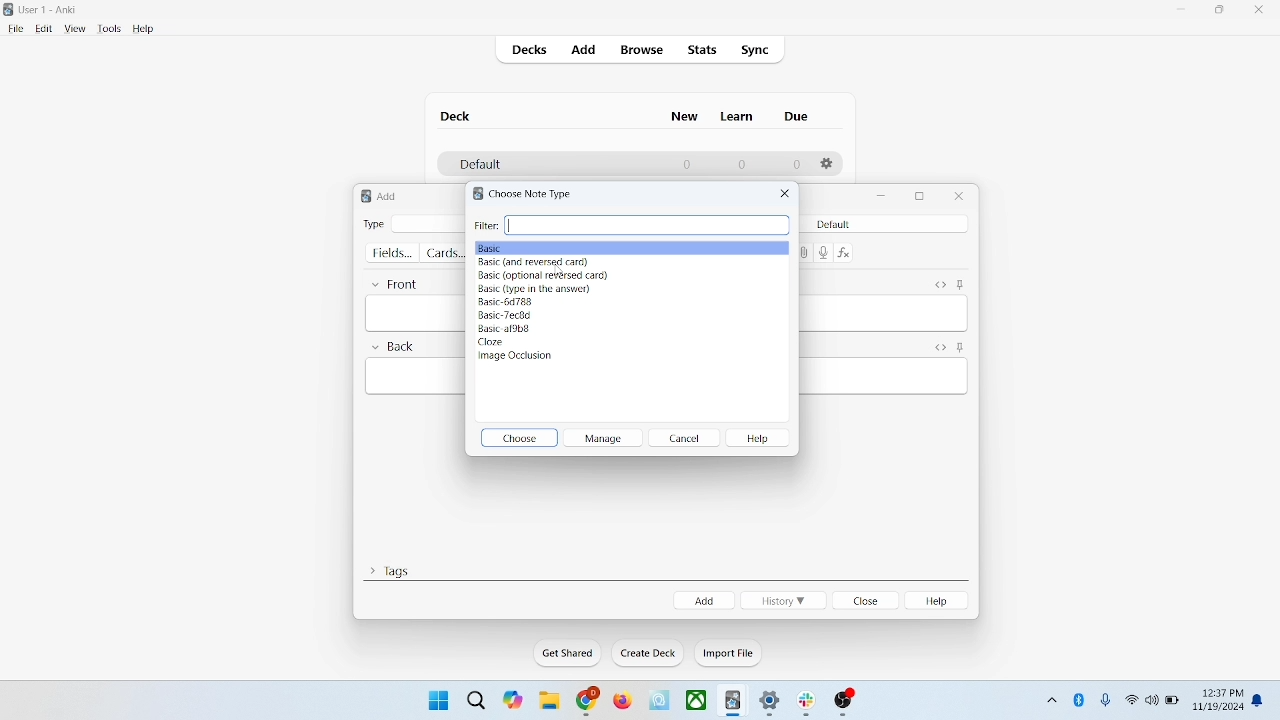 This screenshot has width=1280, height=720. What do you see at coordinates (585, 51) in the screenshot?
I see `add` at bounding box center [585, 51].